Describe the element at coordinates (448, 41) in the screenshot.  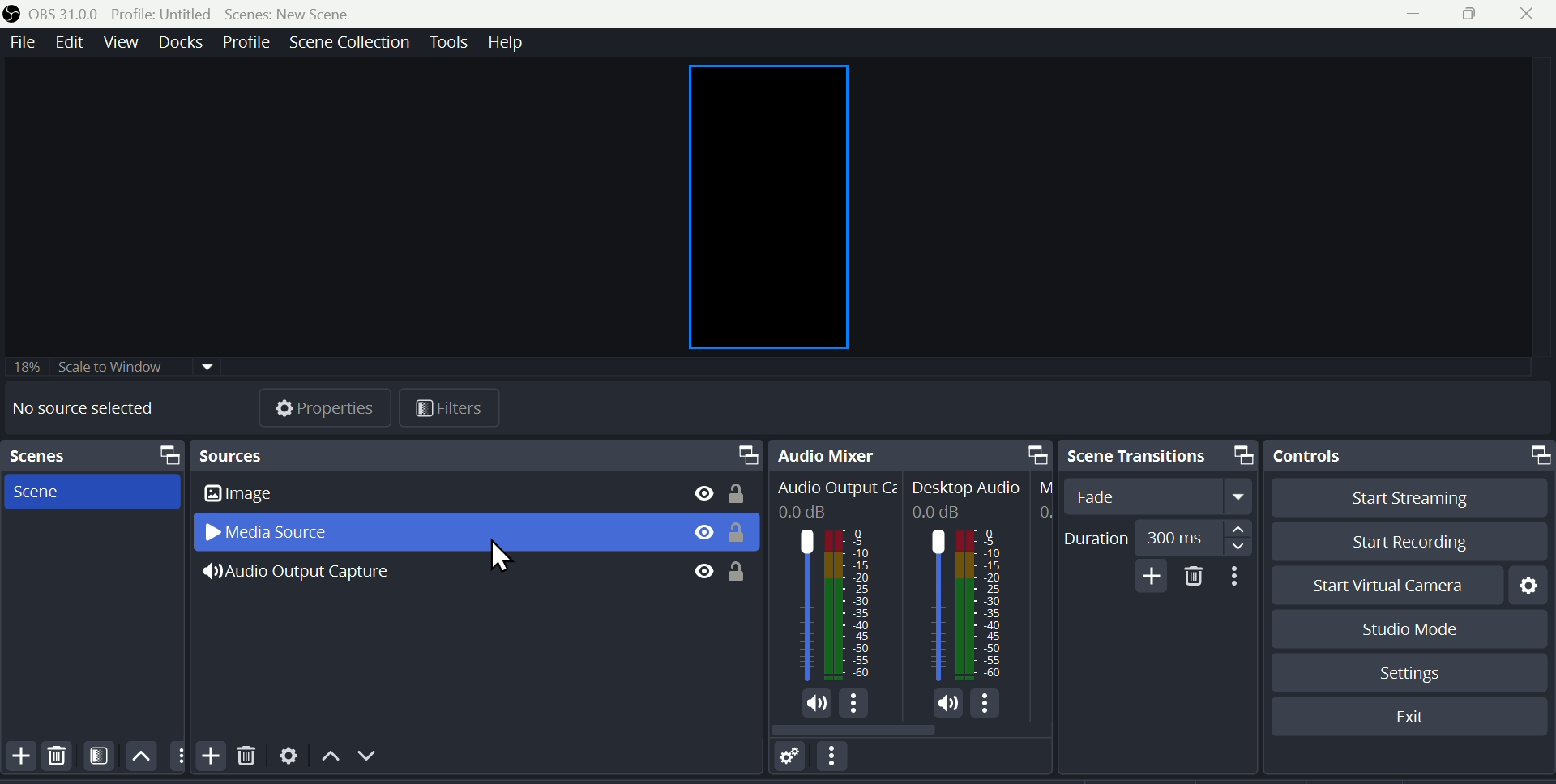
I see `Tools` at that location.